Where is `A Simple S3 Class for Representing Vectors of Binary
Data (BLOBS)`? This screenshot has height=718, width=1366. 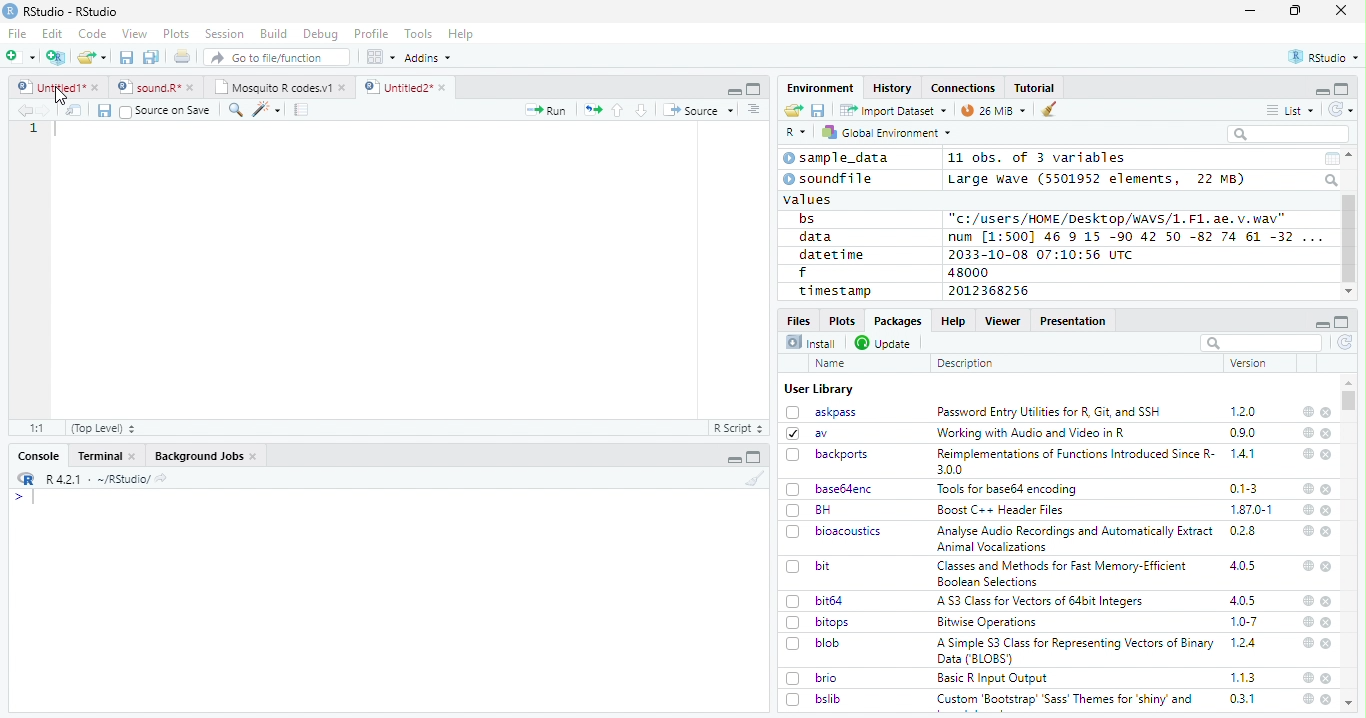
A Simple S3 Class for Representing Vectors of Binary
Data (BLOBS) is located at coordinates (1077, 650).